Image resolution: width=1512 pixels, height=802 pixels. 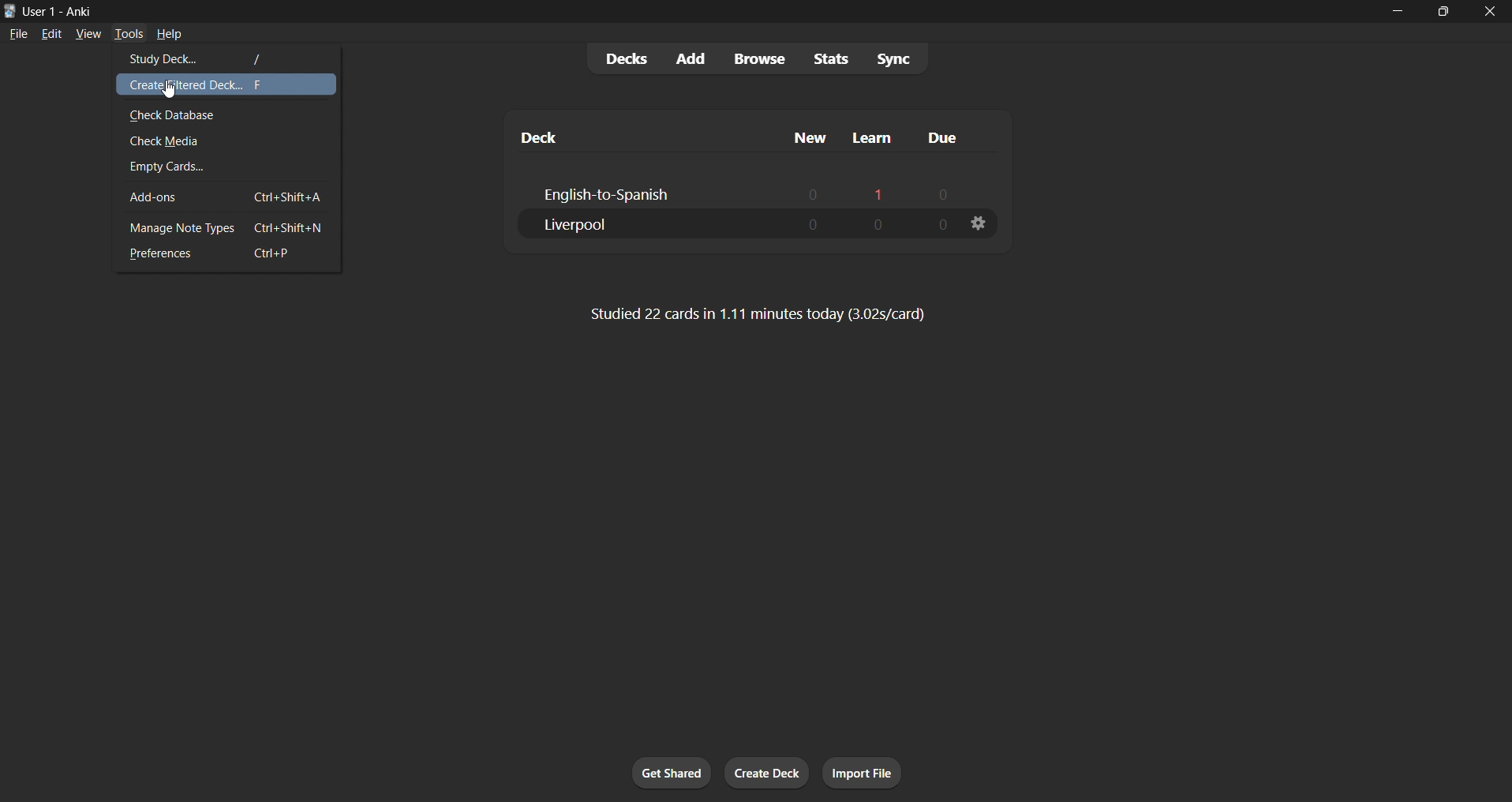 I want to click on help, so click(x=174, y=36).